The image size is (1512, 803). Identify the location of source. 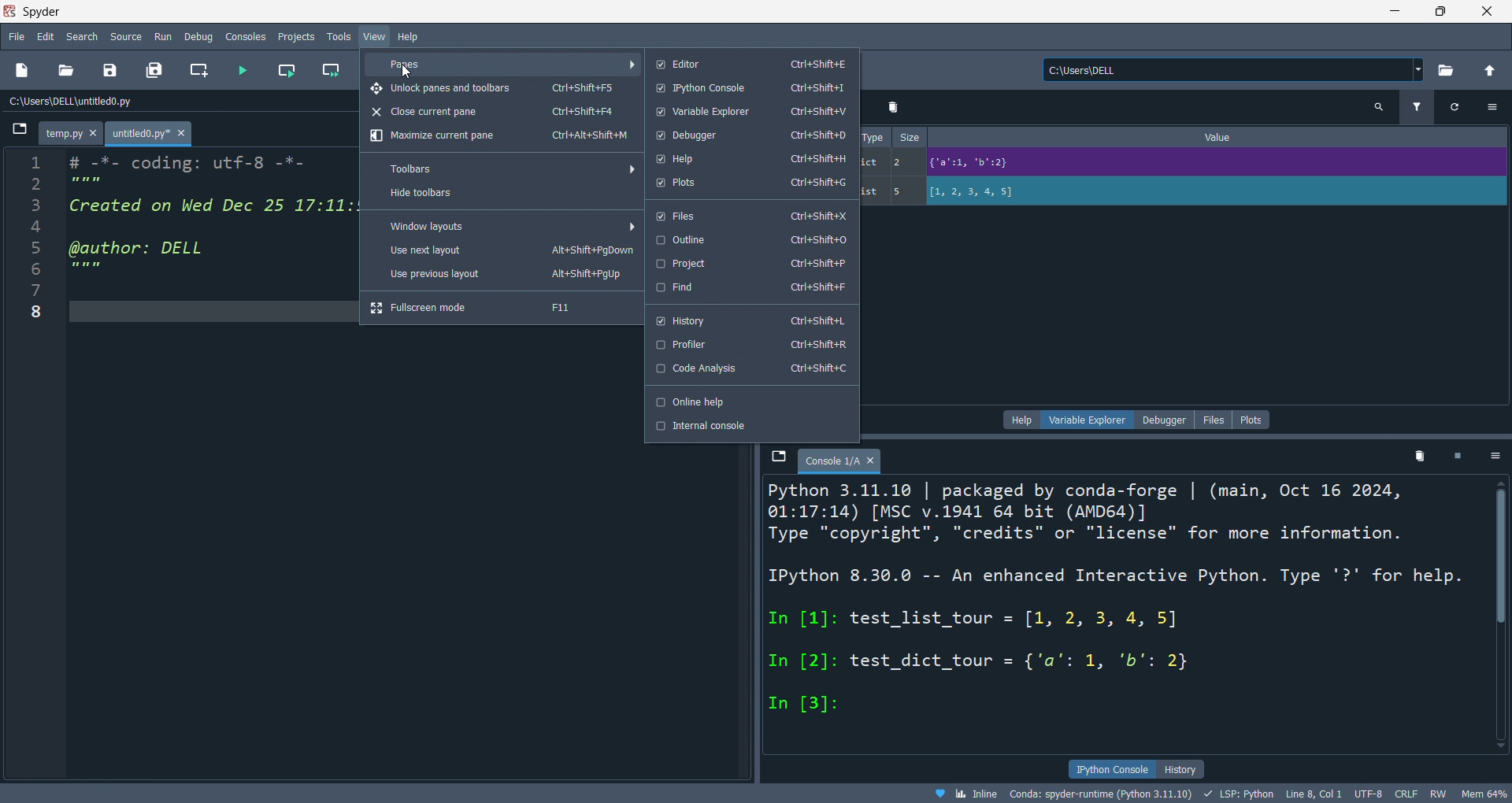
(125, 35).